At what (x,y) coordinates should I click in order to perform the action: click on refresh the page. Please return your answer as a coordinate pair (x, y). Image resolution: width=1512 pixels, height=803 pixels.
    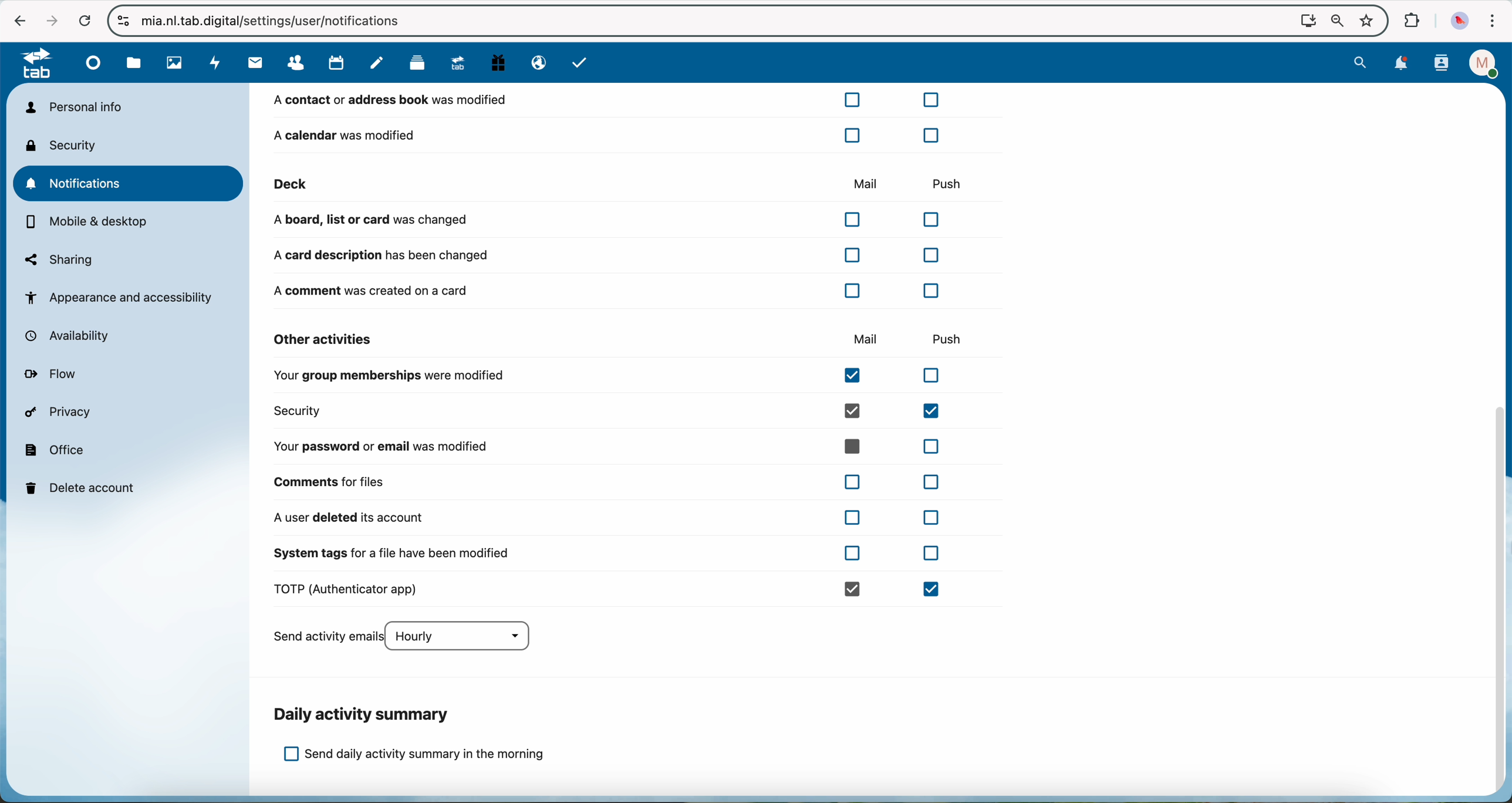
    Looking at the image, I should click on (84, 20).